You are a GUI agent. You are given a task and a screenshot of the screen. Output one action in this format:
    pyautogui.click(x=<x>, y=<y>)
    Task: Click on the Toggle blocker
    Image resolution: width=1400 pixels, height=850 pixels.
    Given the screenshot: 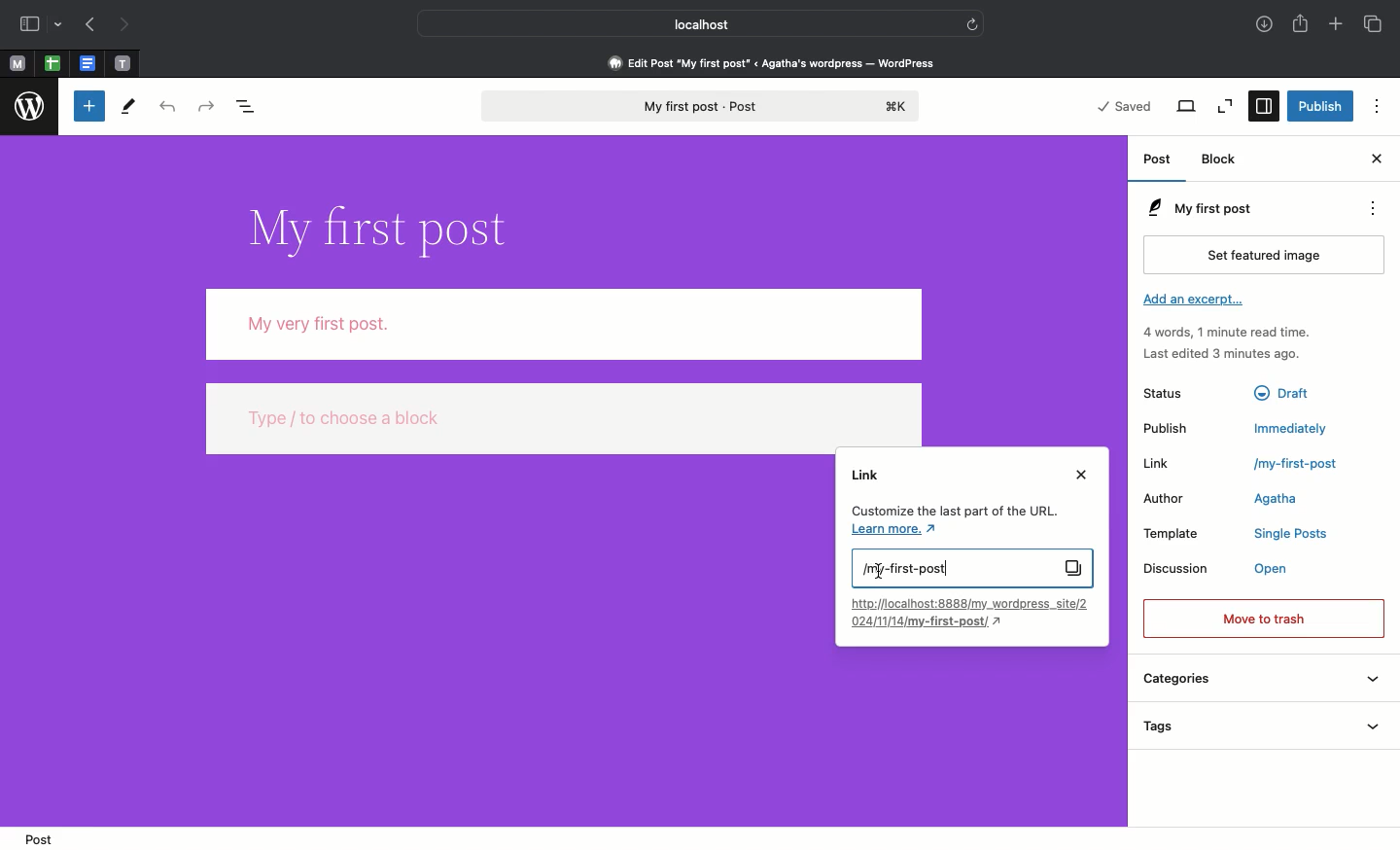 What is the action you would take?
    pyautogui.click(x=89, y=105)
    